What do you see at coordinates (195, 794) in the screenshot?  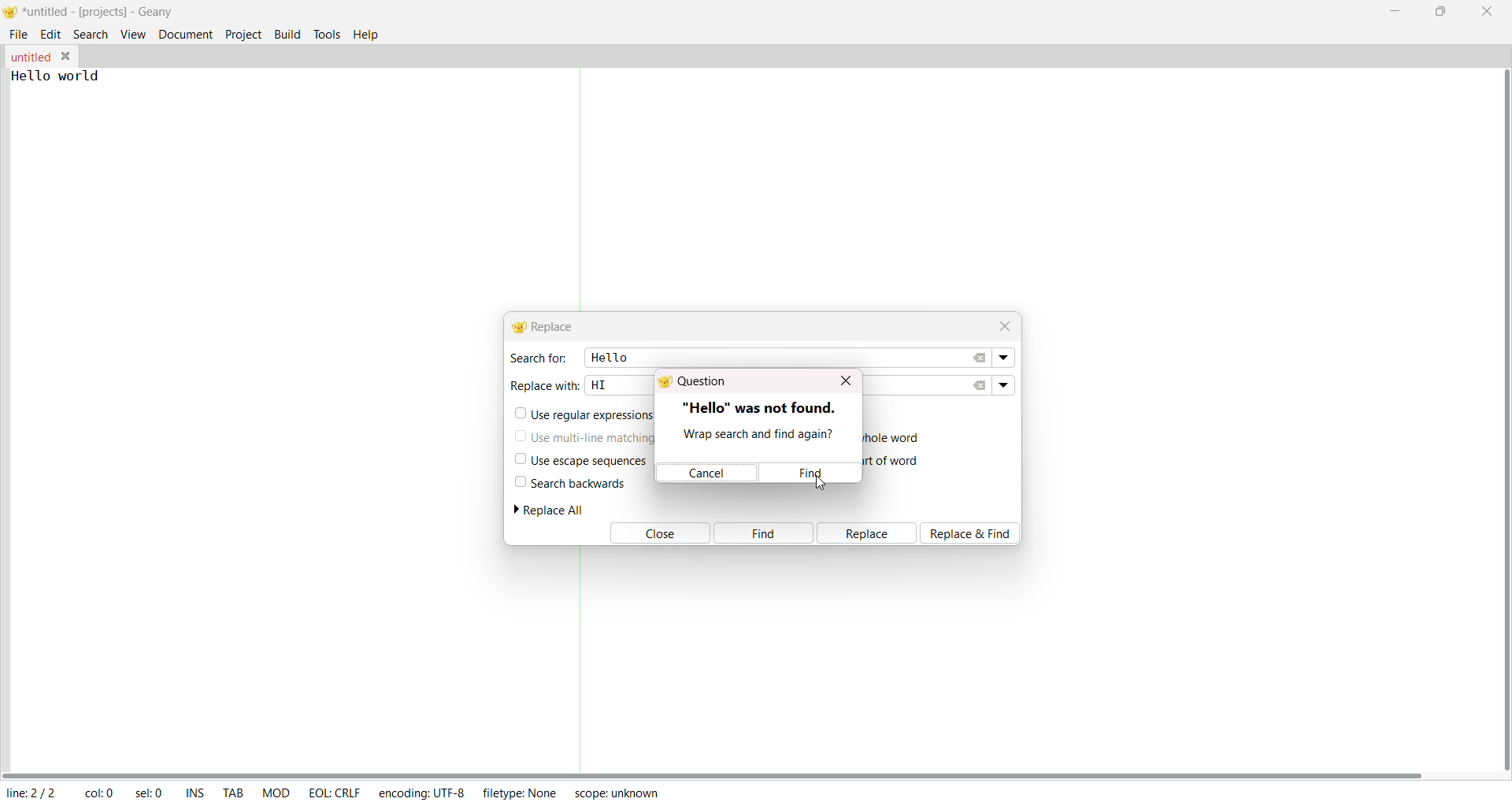 I see `ins` at bounding box center [195, 794].